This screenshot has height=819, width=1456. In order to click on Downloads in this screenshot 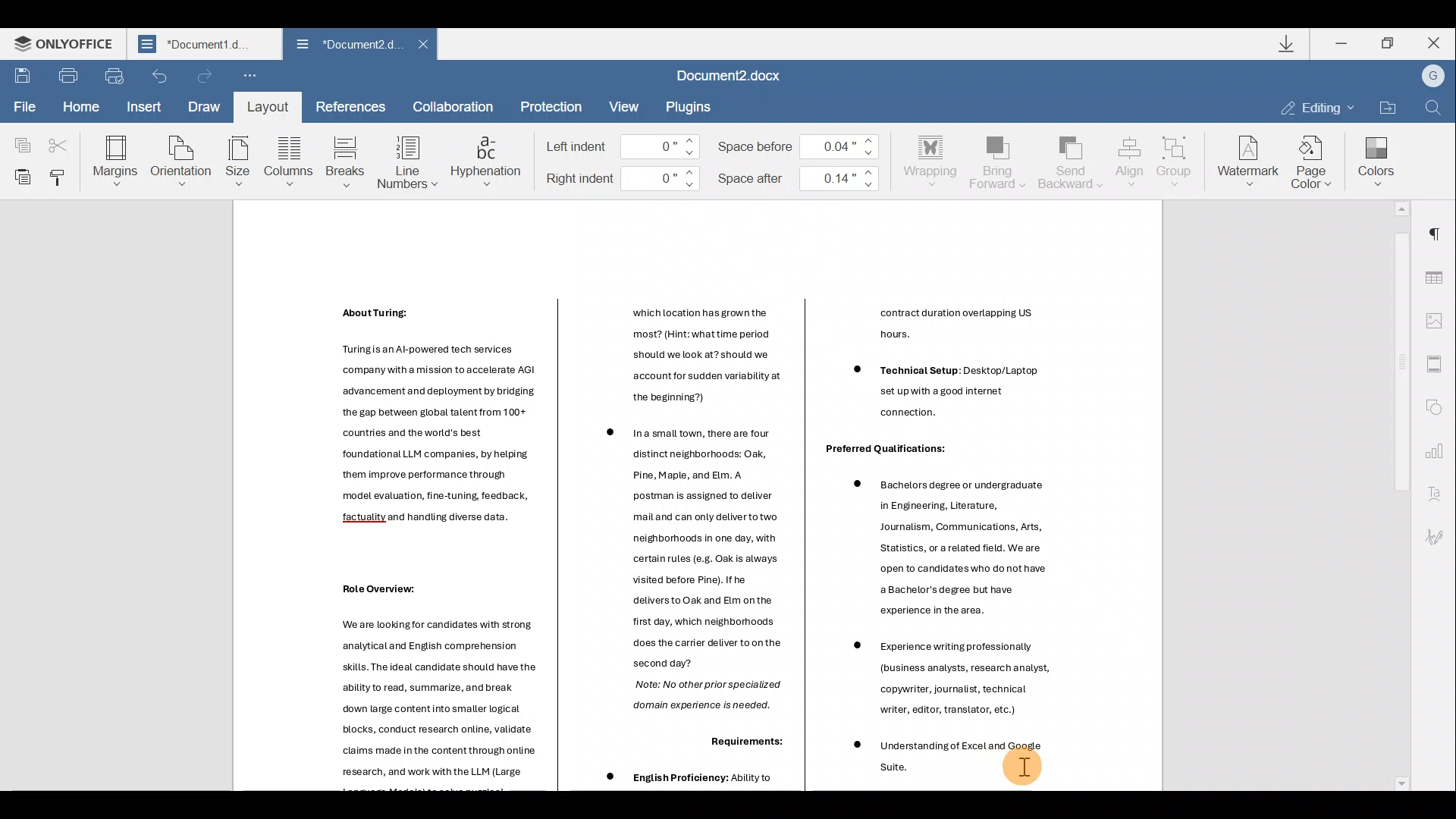, I will do `click(1288, 45)`.